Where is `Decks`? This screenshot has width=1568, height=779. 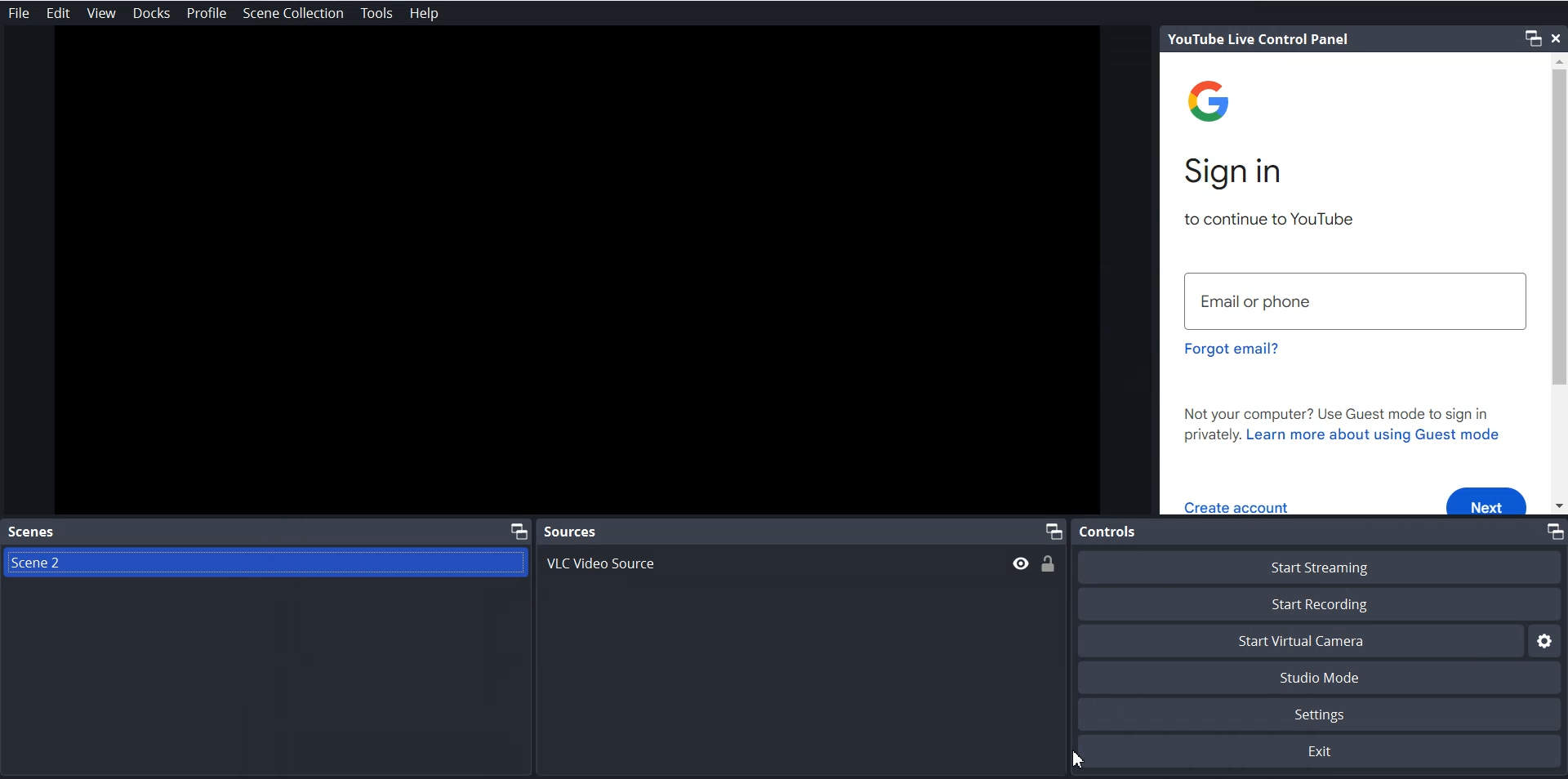
Decks is located at coordinates (152, 13).